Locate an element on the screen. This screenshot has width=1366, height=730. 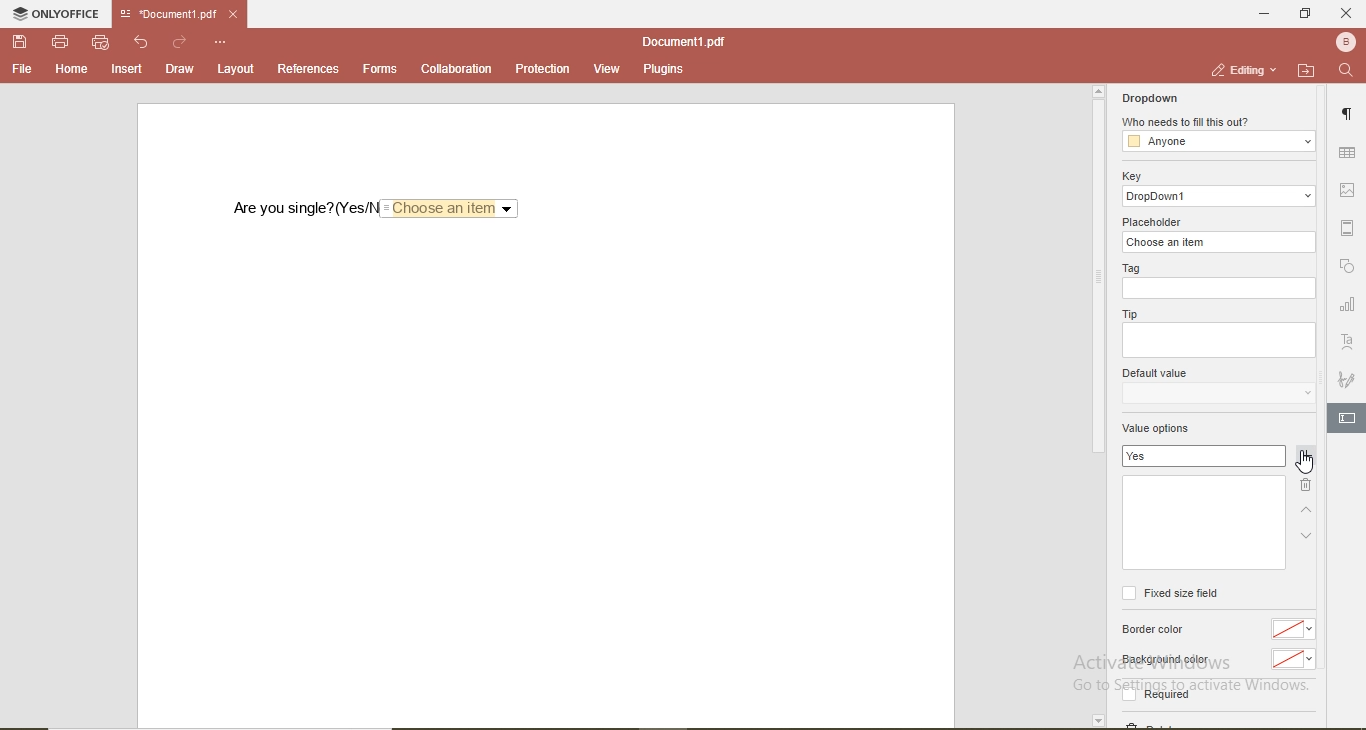
No color is located at coordinates (1292, 660).